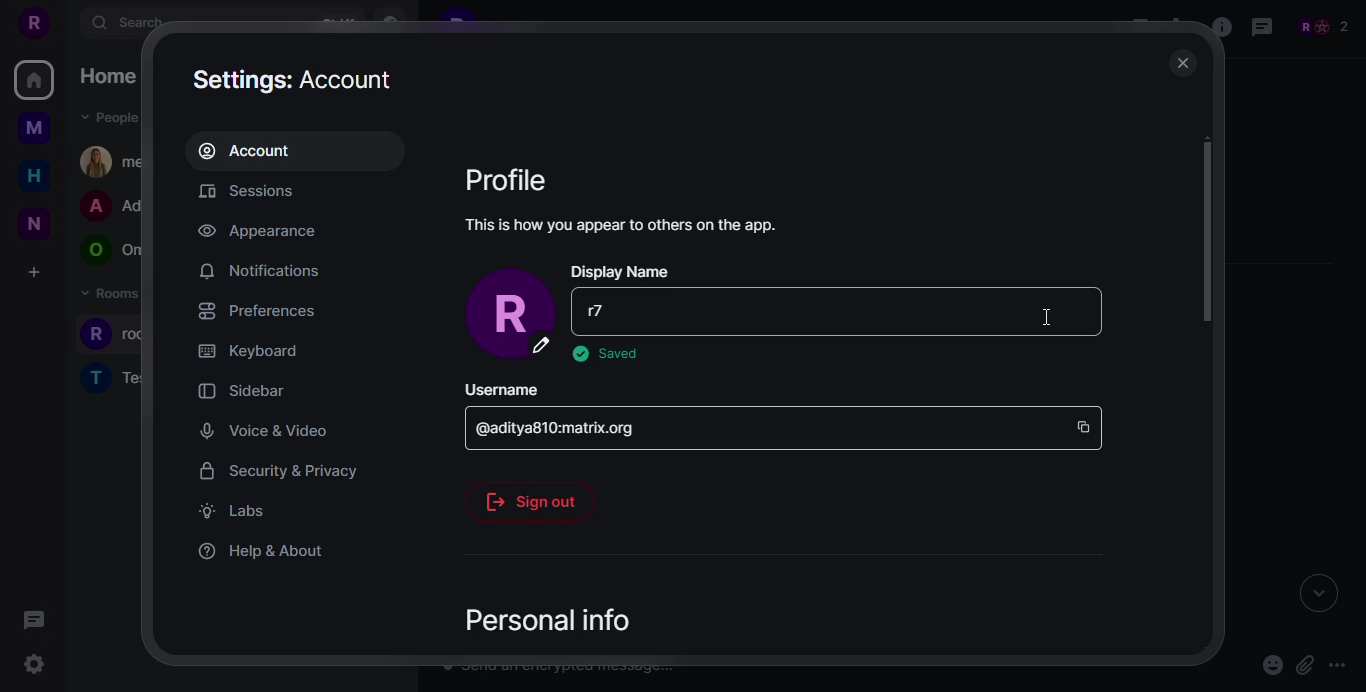  What do you see at coordinates (112, 207) in the screenshot?
I see `people` at bounding box center [112, 207].